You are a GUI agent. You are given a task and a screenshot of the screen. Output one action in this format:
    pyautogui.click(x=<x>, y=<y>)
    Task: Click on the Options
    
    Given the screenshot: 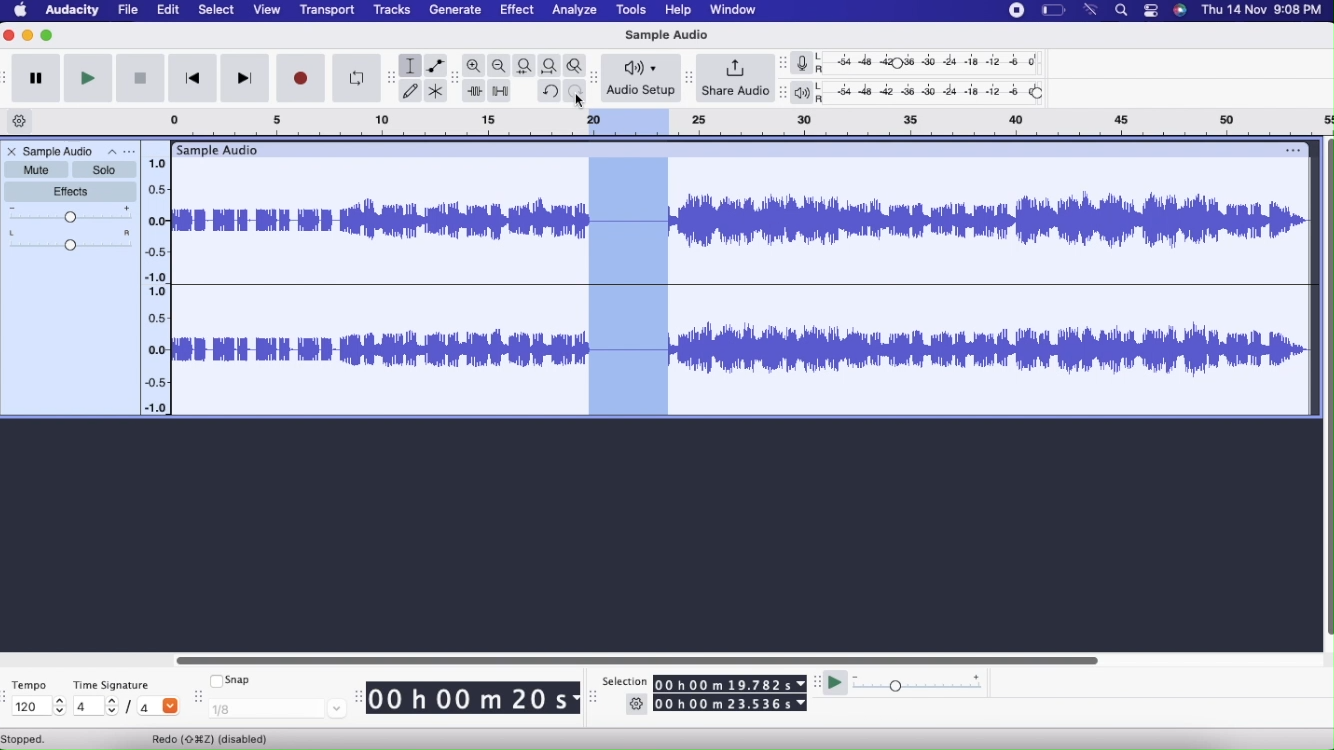 What is the action you would take?
    pyautogui.click(x=121, y=152)
    